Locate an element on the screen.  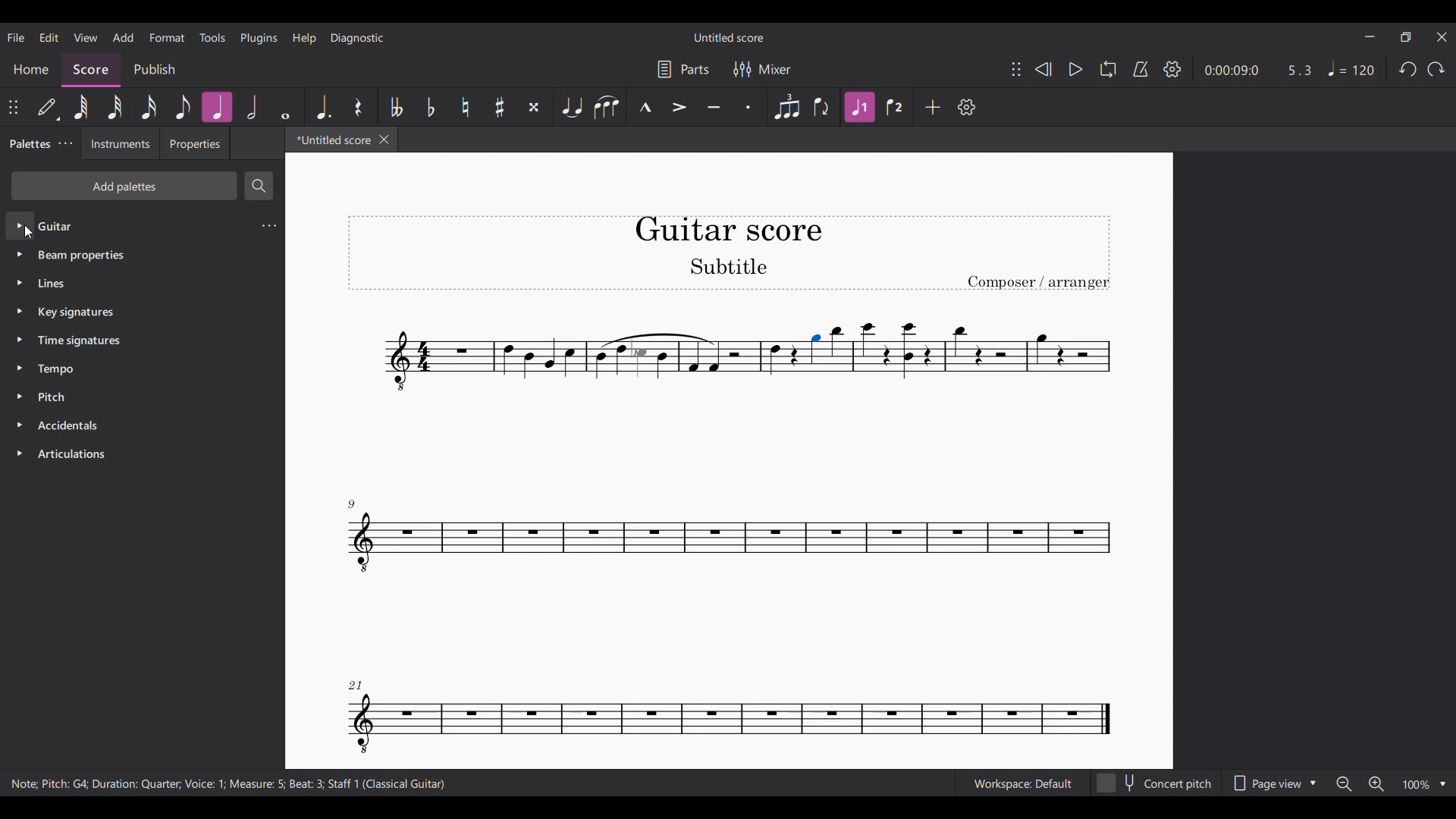
Articulations is located at coordinates (75, 454).